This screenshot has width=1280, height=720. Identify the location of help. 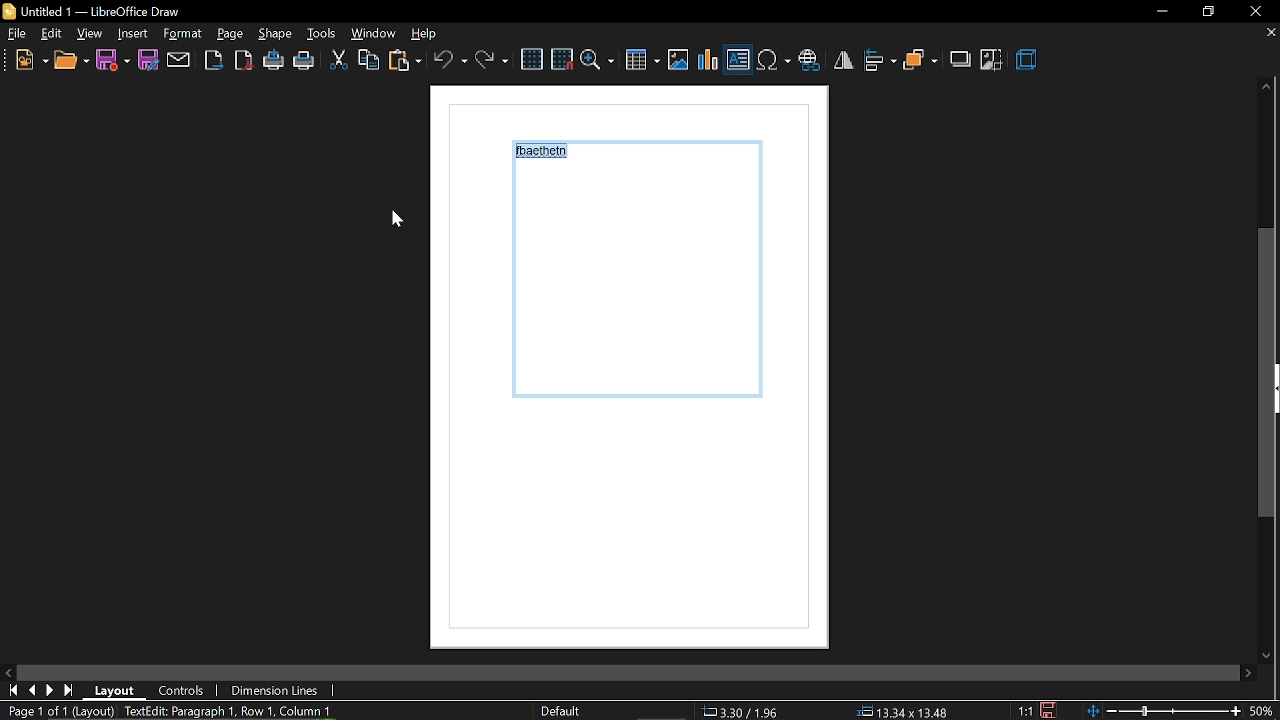
(431, 33).